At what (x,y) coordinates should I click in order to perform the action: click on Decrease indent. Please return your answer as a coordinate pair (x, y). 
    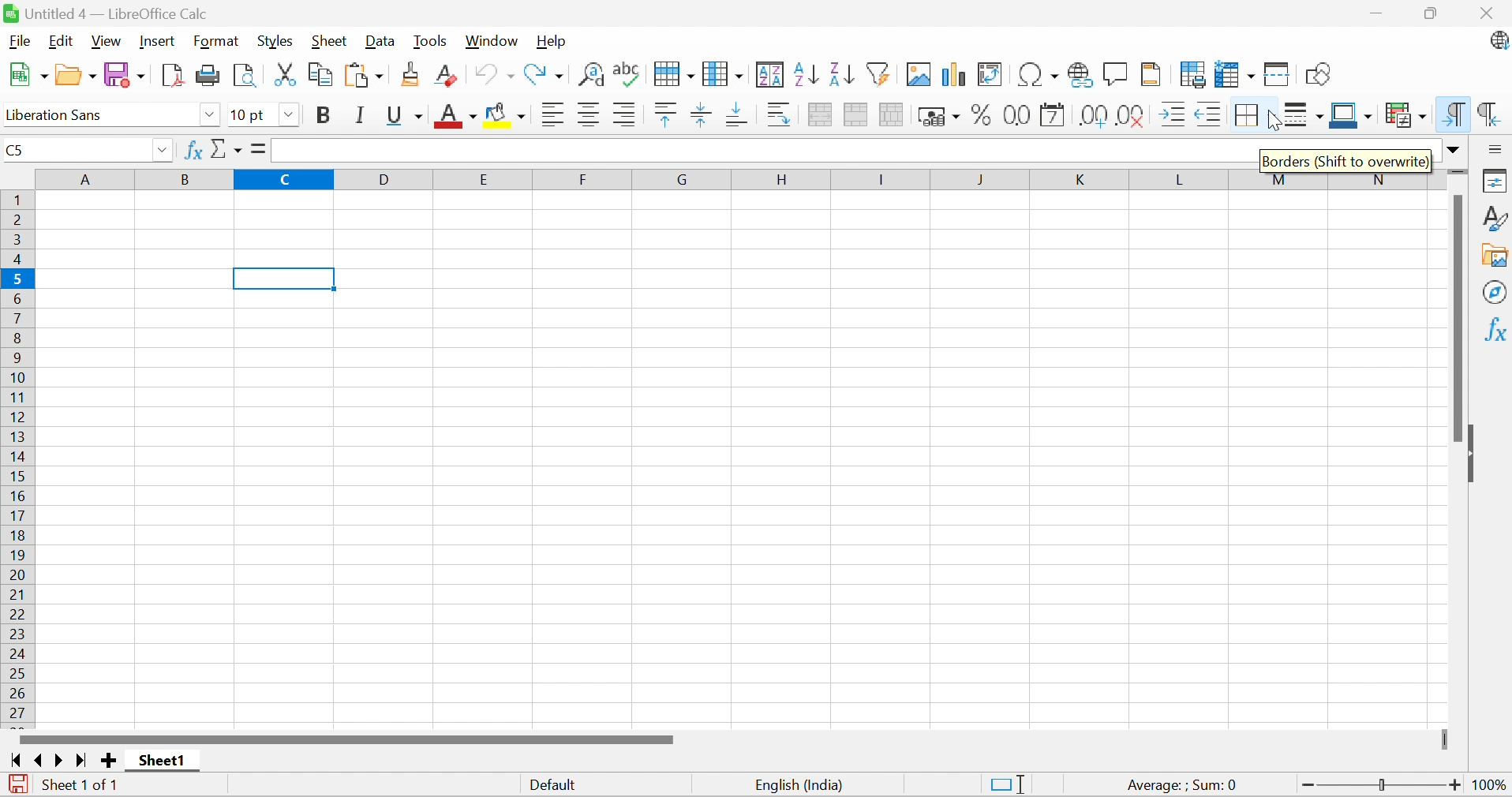
    Looking at the image, I should click on (1207, 117).